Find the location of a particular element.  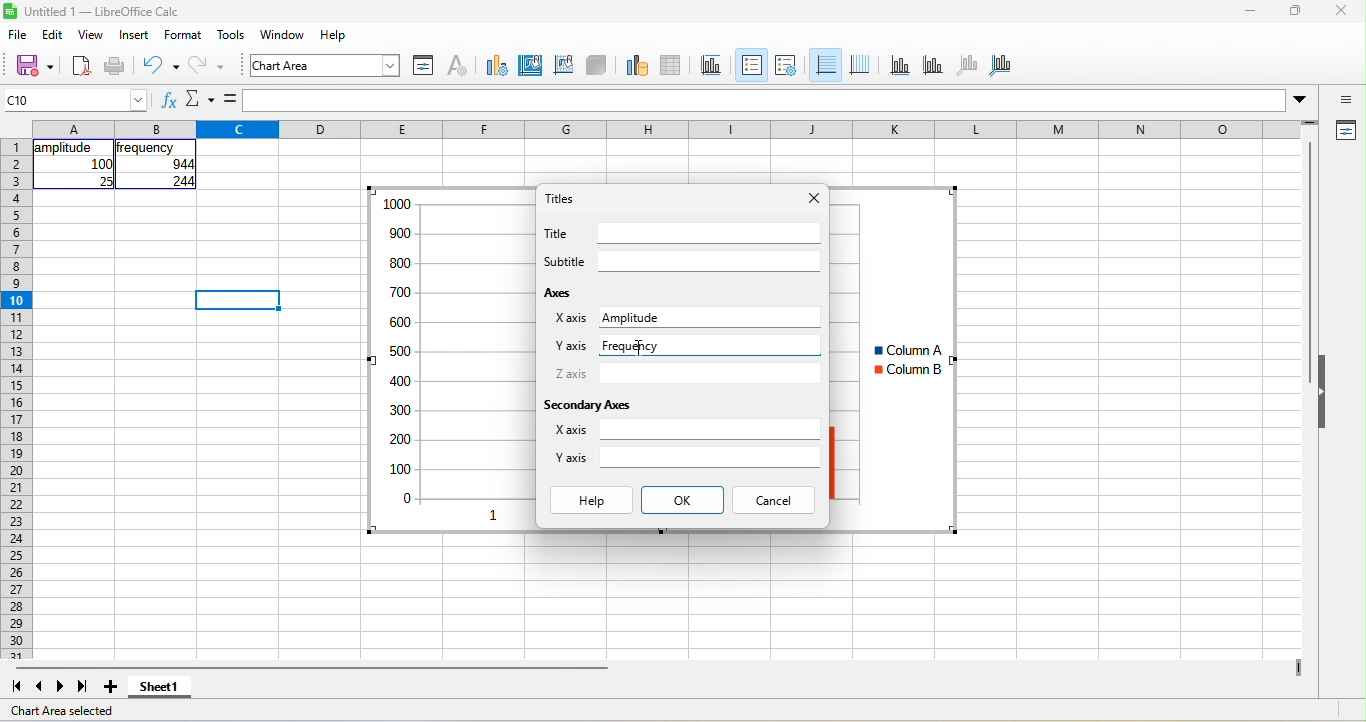

formula bar is located at coordinates (765, 100).